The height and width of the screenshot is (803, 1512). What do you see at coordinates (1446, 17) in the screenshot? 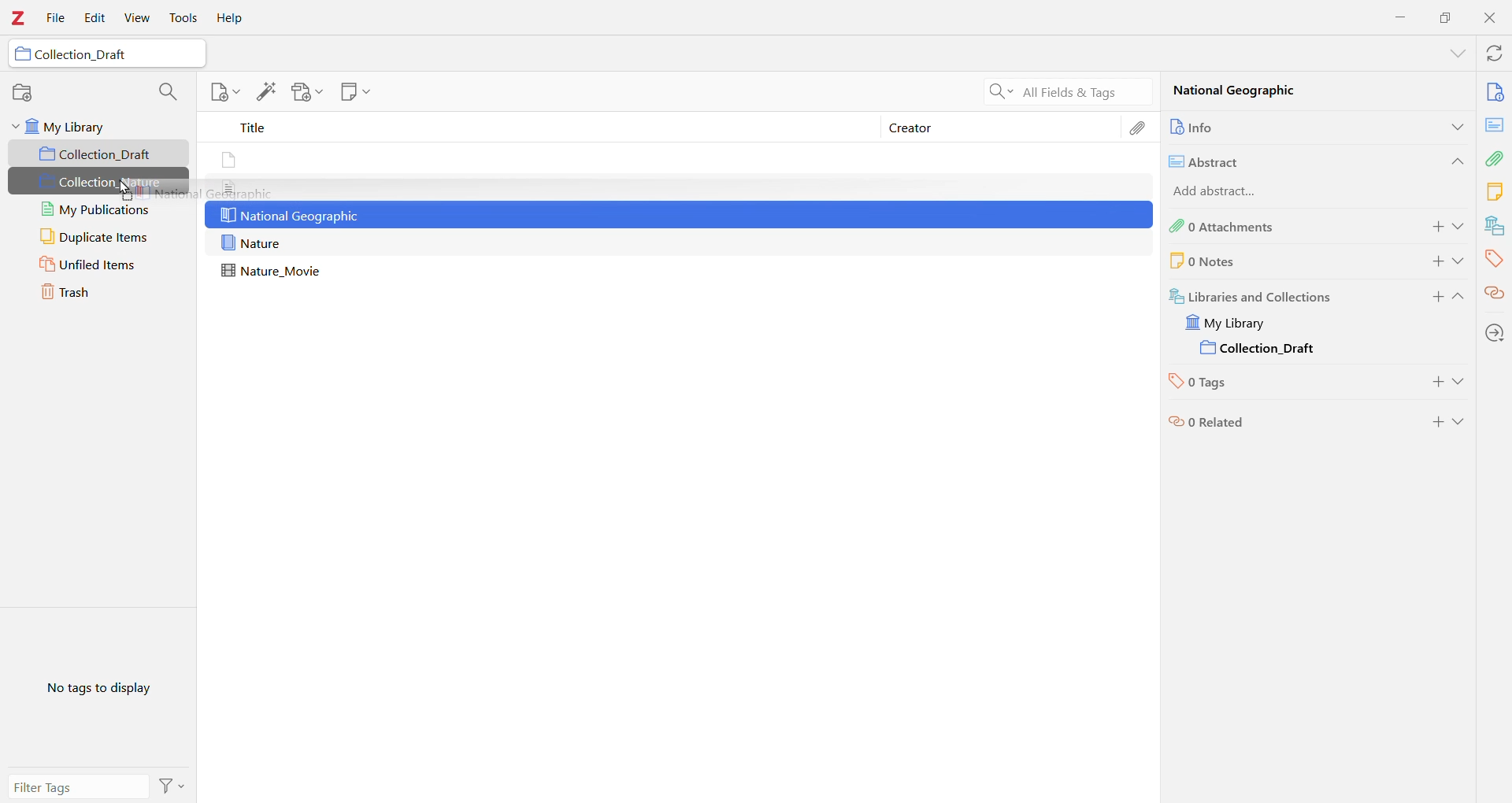
I see `Restore Down` at bounding box center [1446, 17].